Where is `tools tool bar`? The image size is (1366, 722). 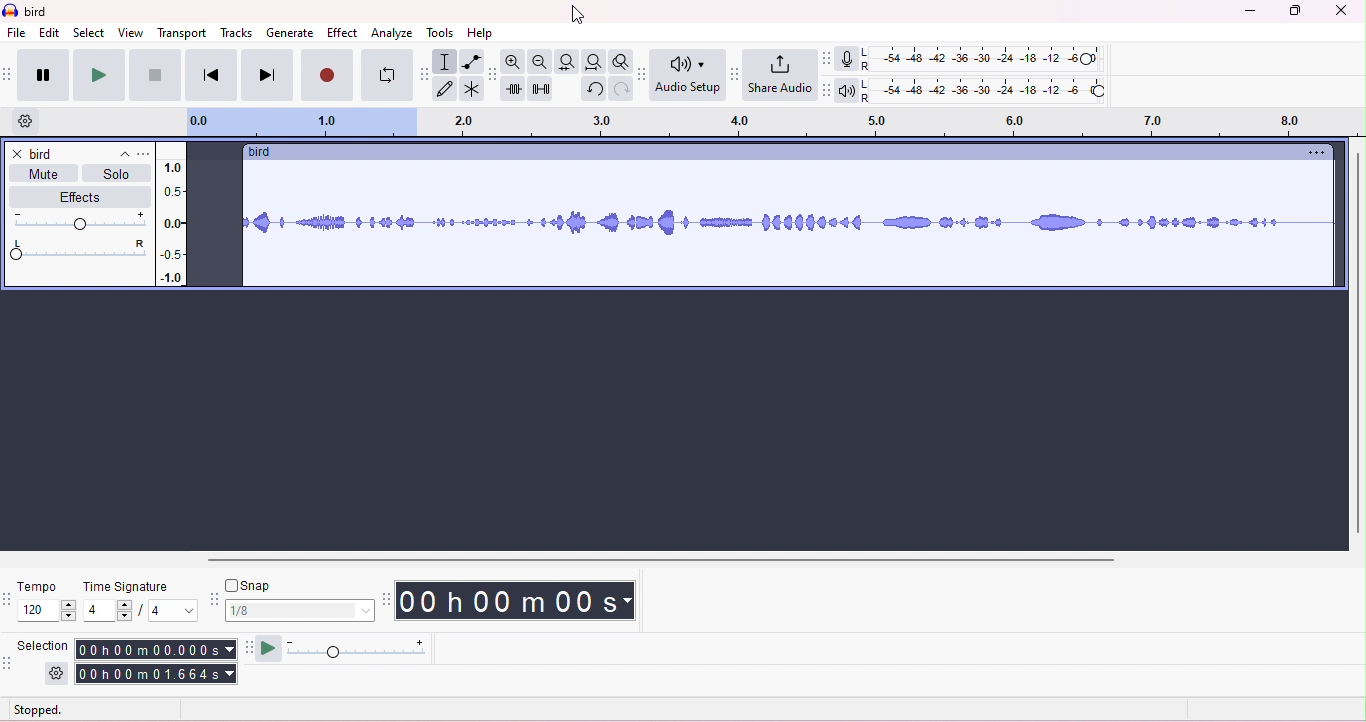
tools tool bar is located at coordinates (422, 73).